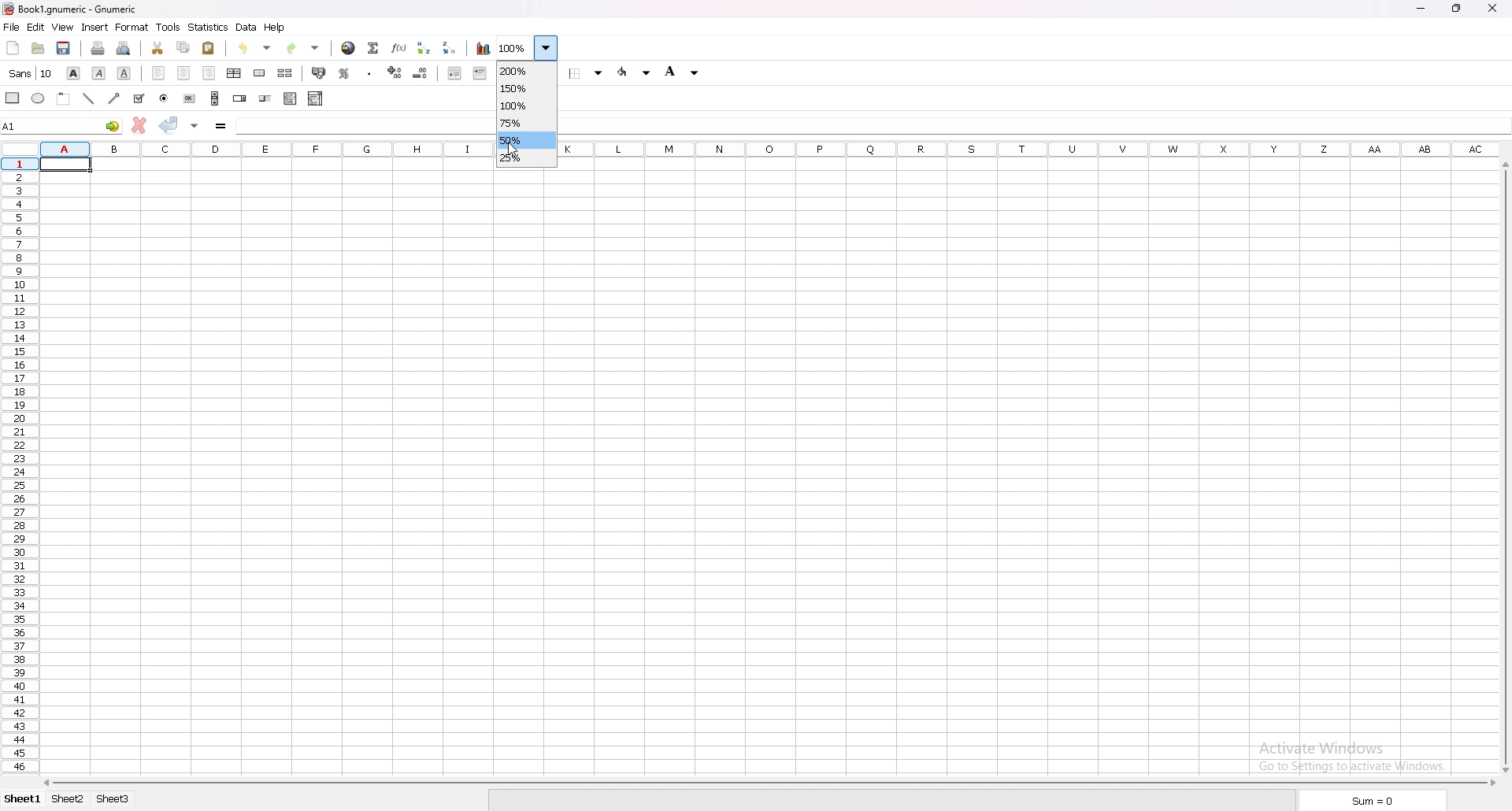  Describe the element at coordinates (125, 47) in the screenshot. I see `print preview` at that location.